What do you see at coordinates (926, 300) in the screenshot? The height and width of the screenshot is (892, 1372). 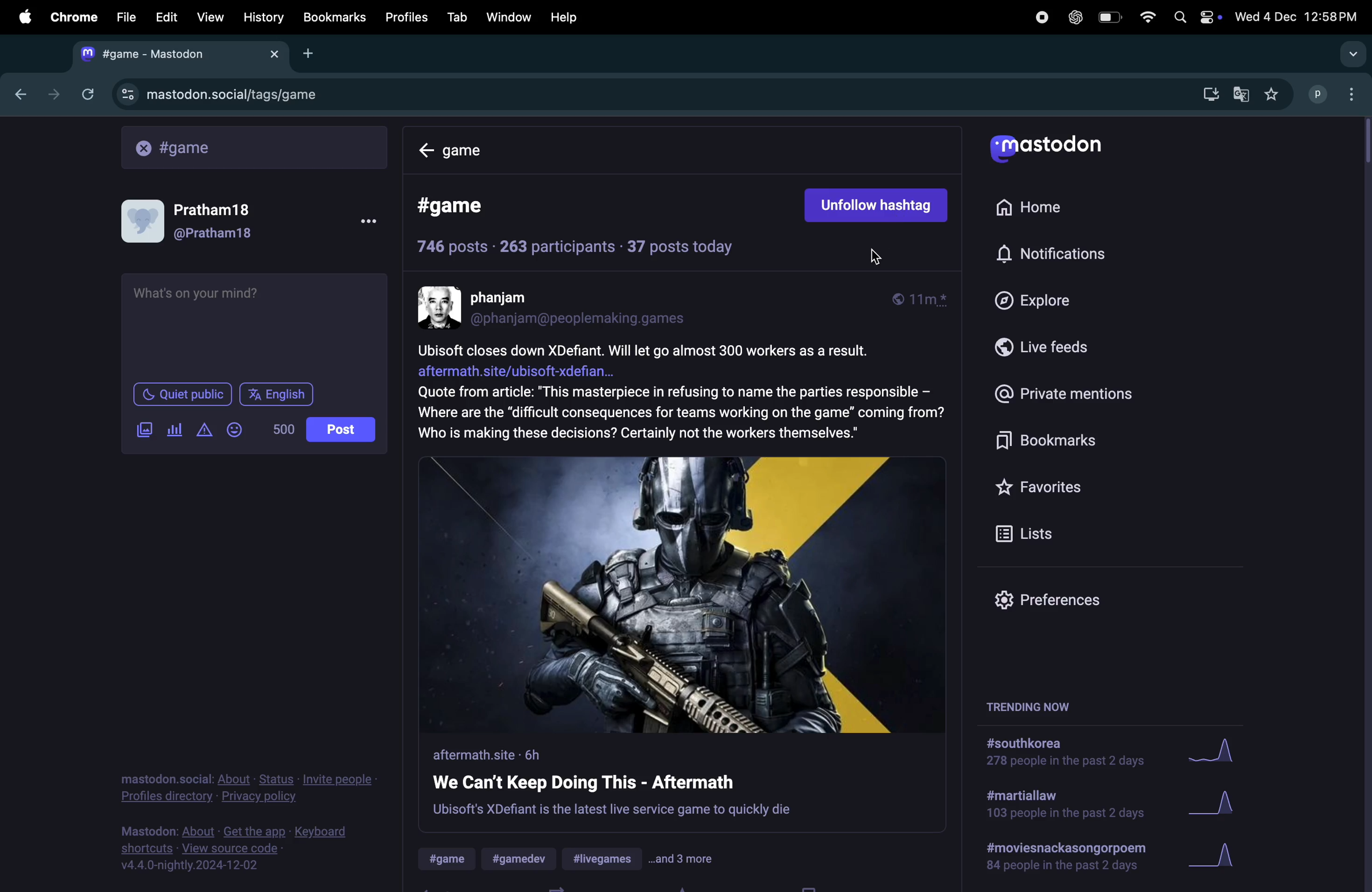 I see `posted time` at bounding box center [926, 300].